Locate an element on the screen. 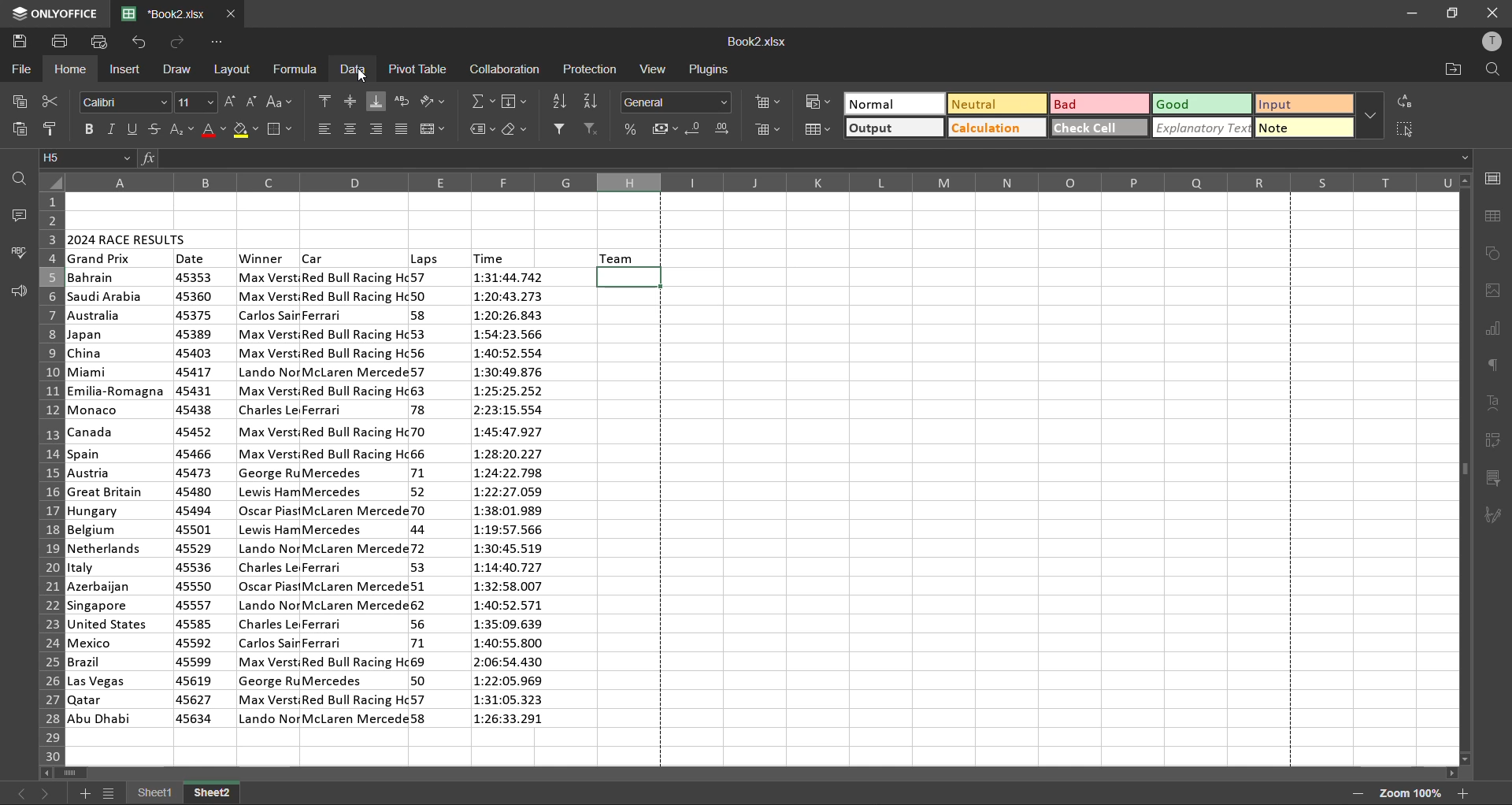 The height and width of the screenshot is (805, 1512). car is located at coordinates (315, 257).